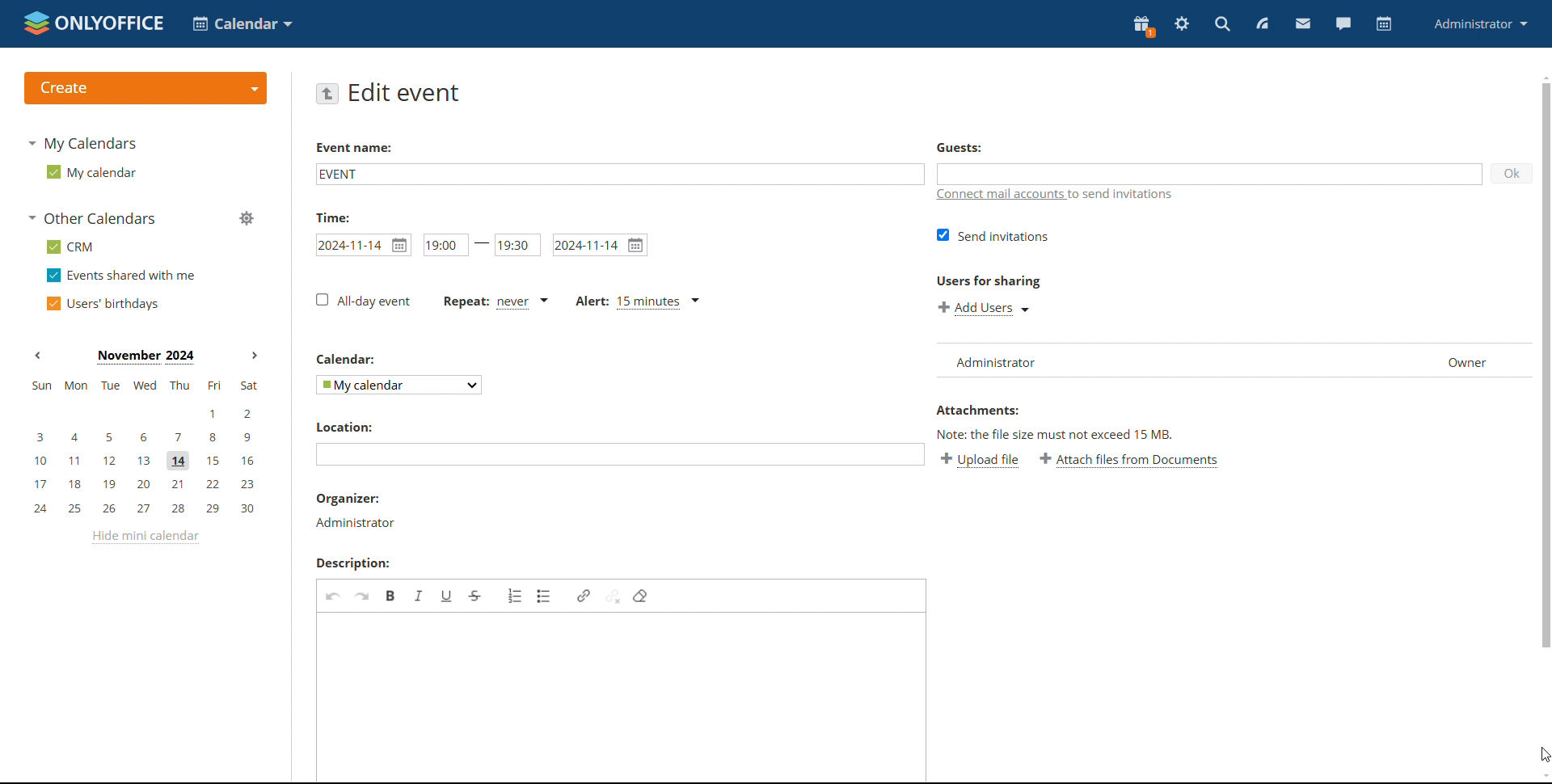 Image resolution: width=1552 pixels, height=784 pixels. What do you see at coordinates (475, 596) in the screenshot?
I see `strikethrough` at bounding box center [475, 596].